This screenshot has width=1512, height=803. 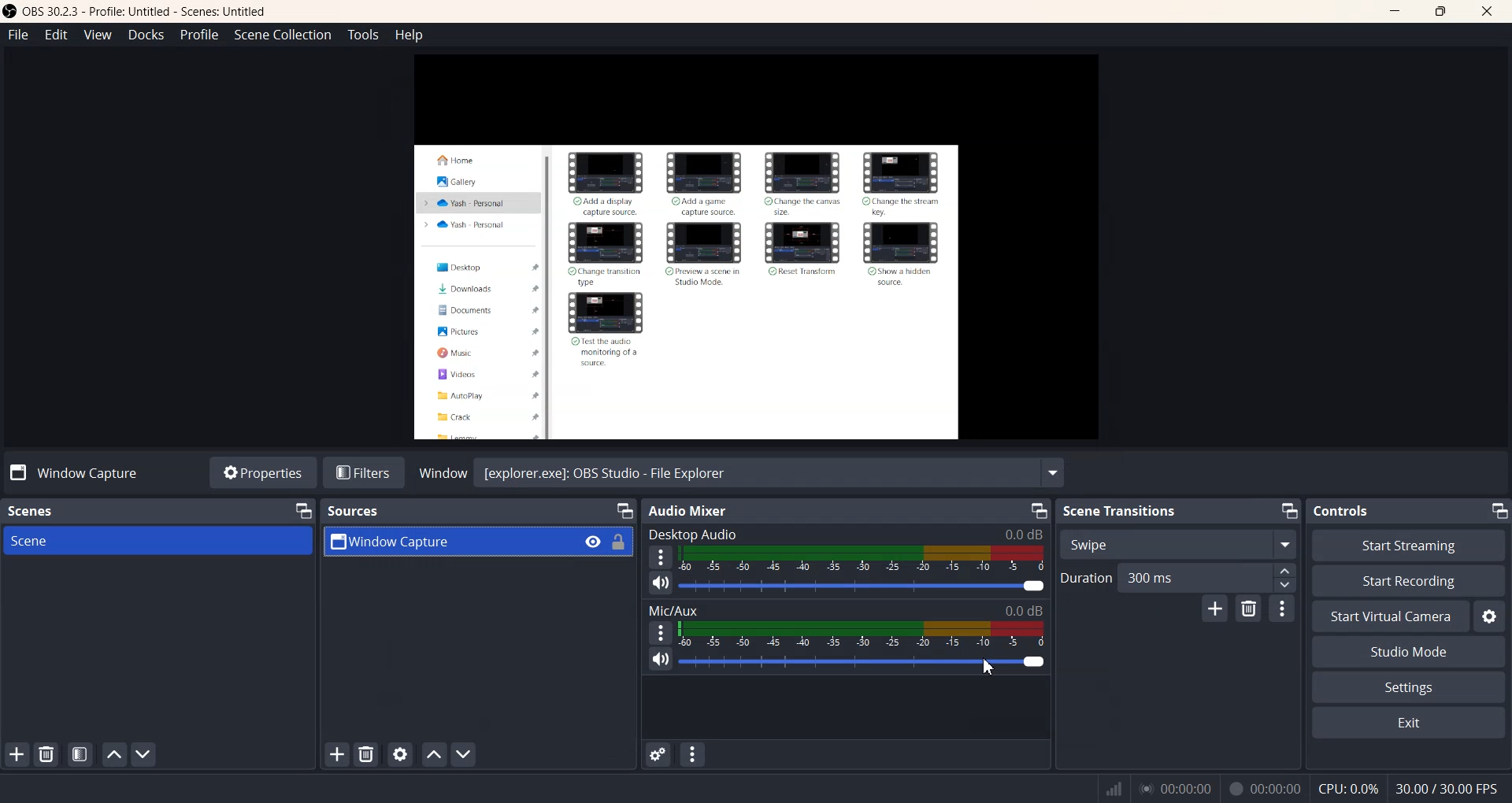 What do you see at coordinates (143, 753) in the screenshot?
I see `Move Scene Down` at bounding box center [143, 753].